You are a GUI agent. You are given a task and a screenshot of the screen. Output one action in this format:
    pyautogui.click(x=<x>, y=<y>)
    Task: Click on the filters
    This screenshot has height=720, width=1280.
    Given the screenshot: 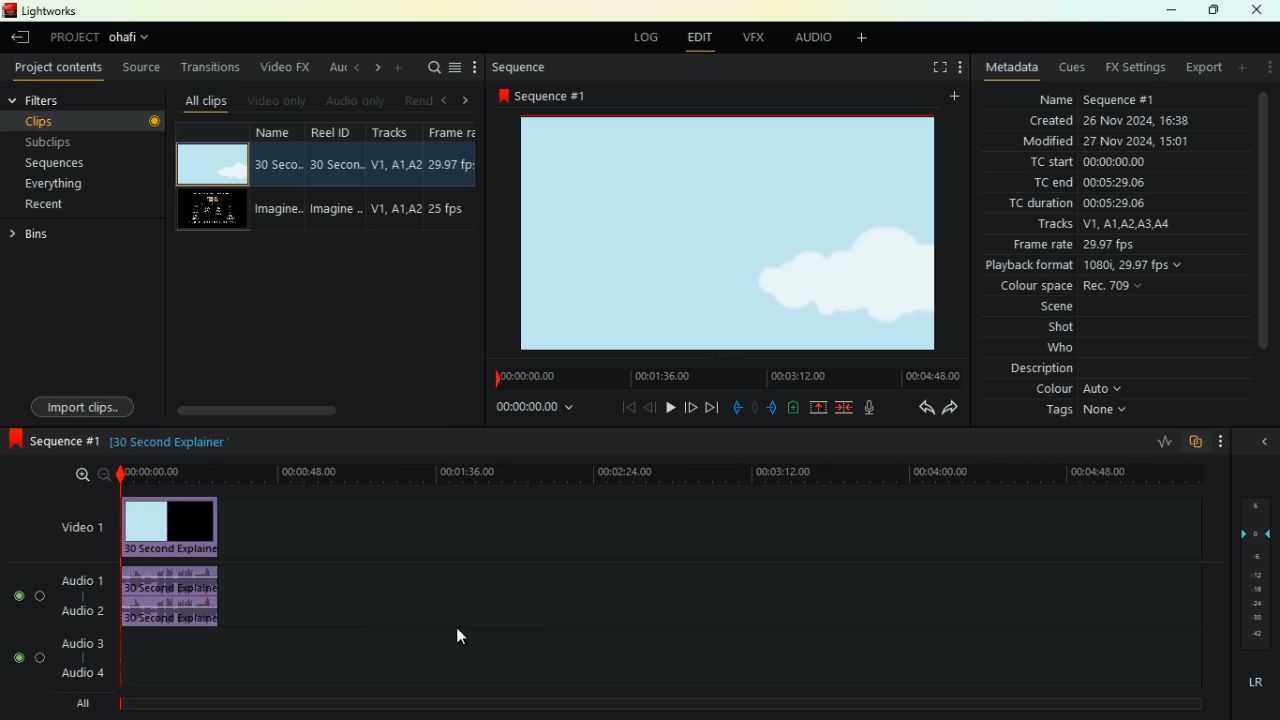 What is the action you would take?
    pyautogui.click(x=54, y=100)
    